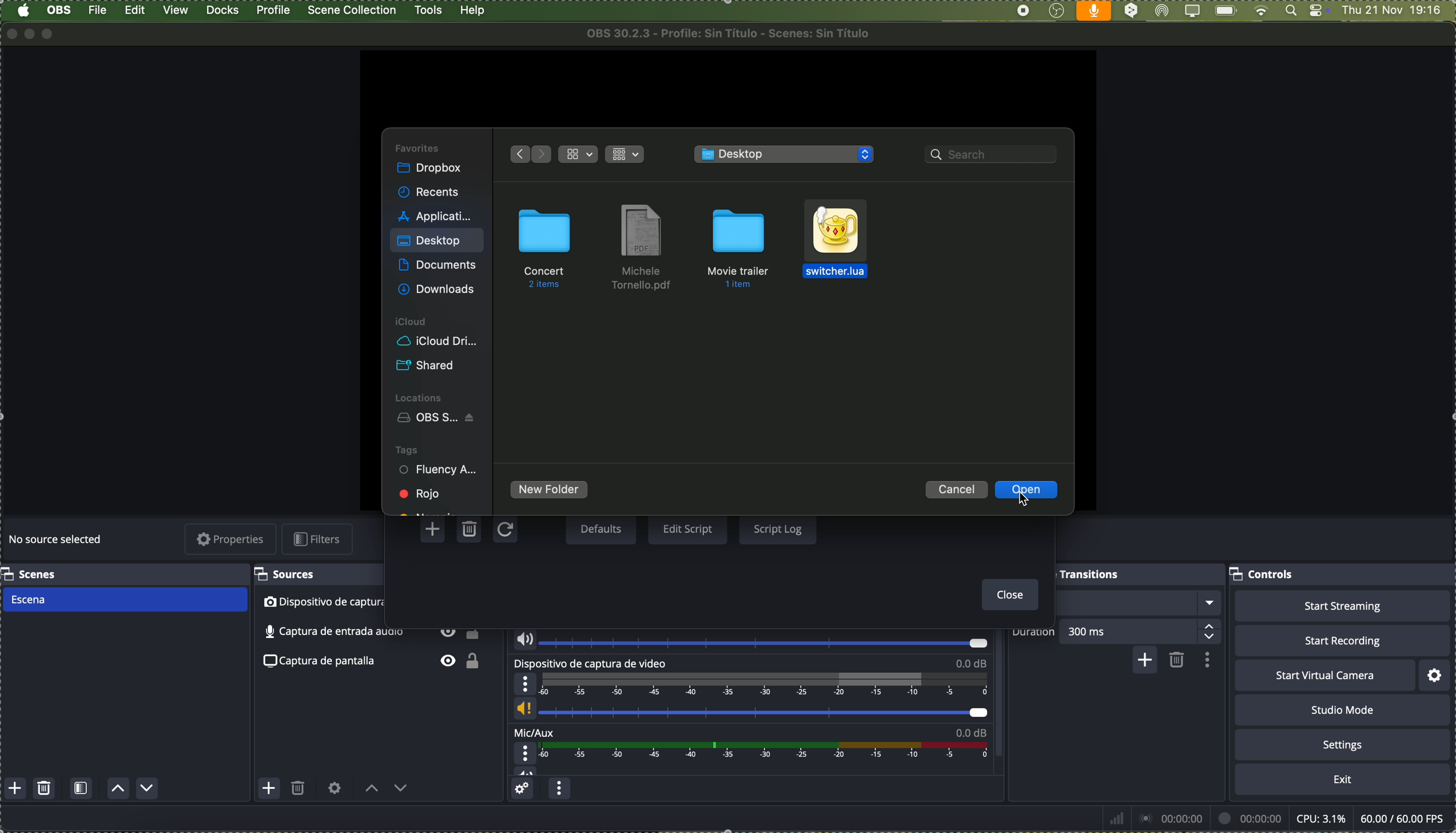 Image resolution: width=1456 pixels, height=833 pixels. What do you see at coordinates (99, 10) in the screenshot?
I see `file` at bounding box center [99, 10].